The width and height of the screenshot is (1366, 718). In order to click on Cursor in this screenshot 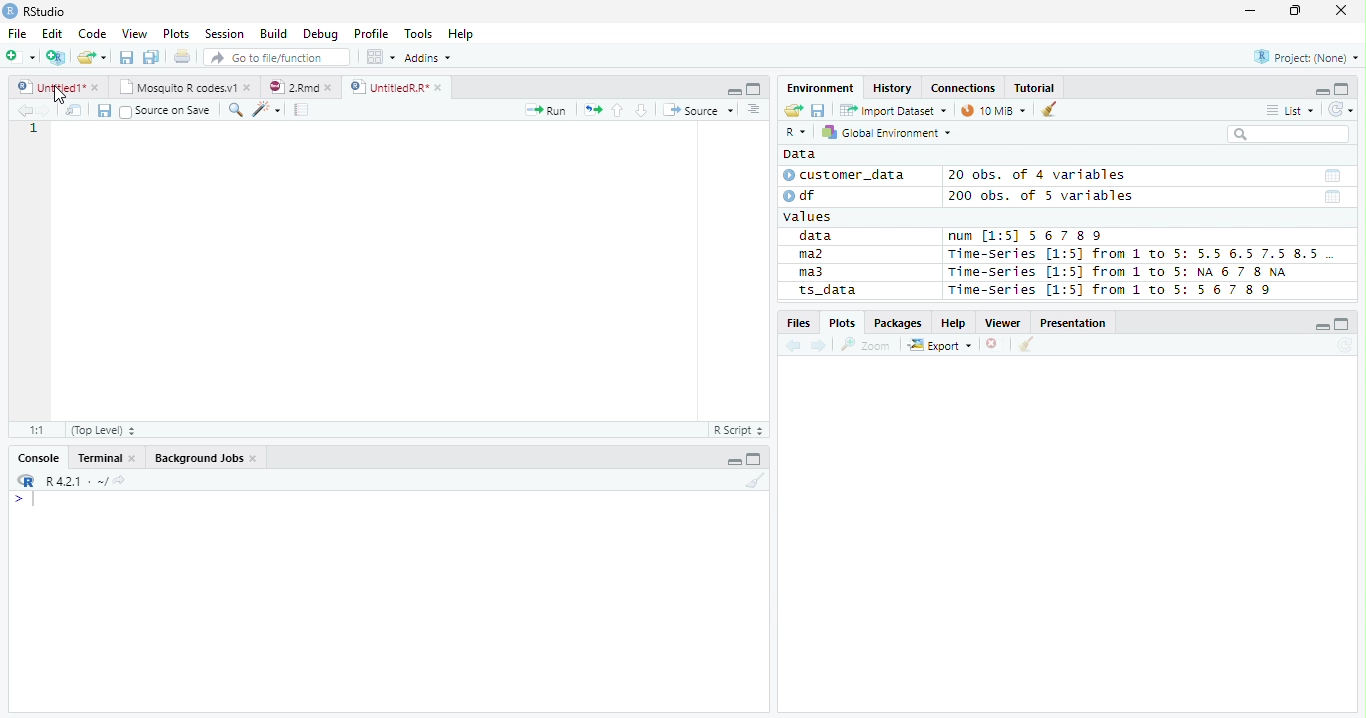, I will do `click(63, 96)`.